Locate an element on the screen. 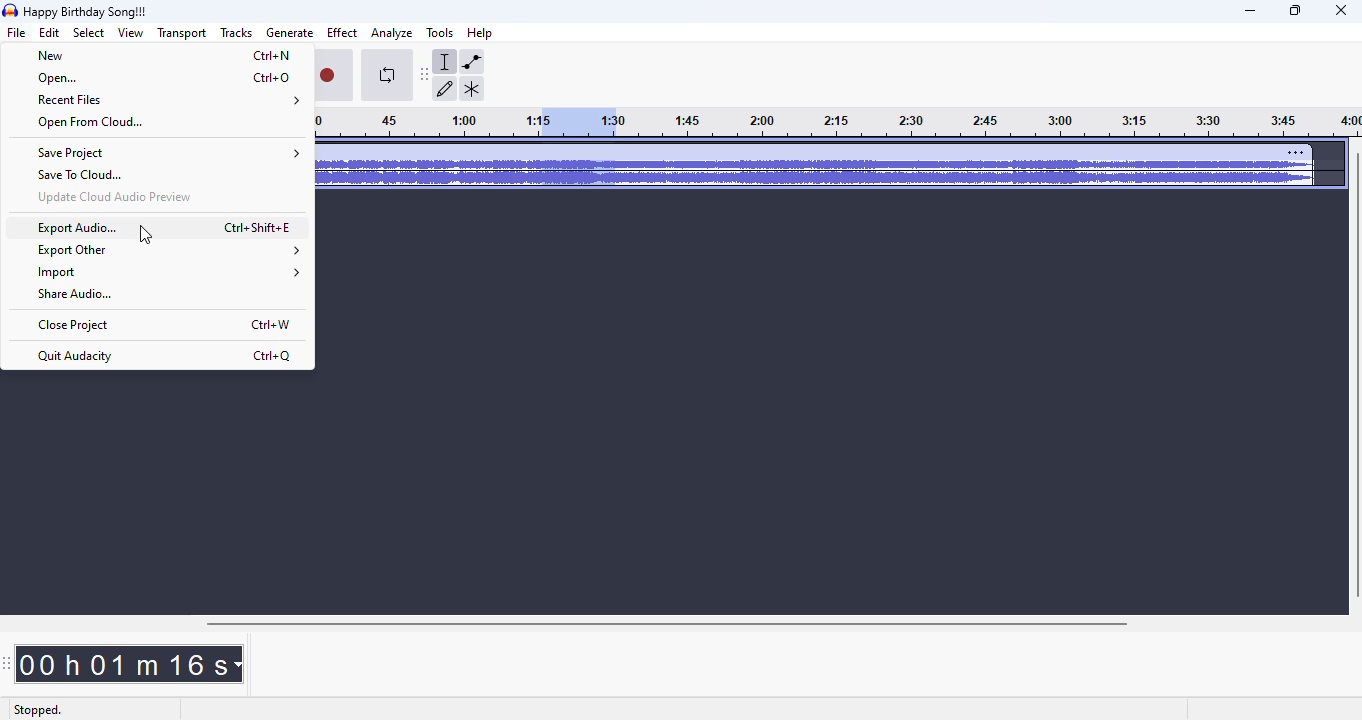 This screenshot has height=720, width=1362. effect is located at coordinates (342, 33).